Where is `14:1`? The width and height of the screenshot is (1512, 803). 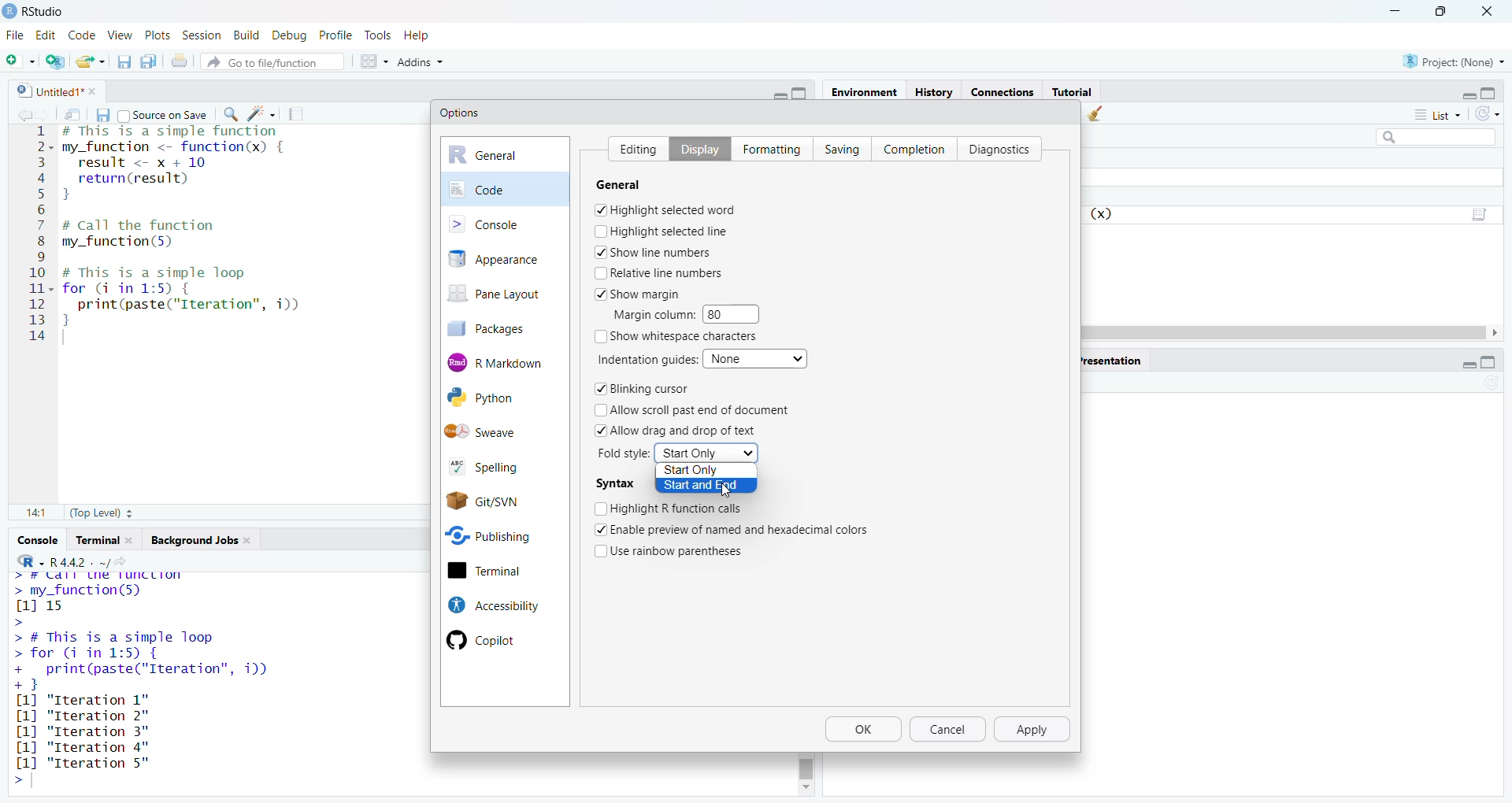 14:1 is located at coordinates (35, 514).